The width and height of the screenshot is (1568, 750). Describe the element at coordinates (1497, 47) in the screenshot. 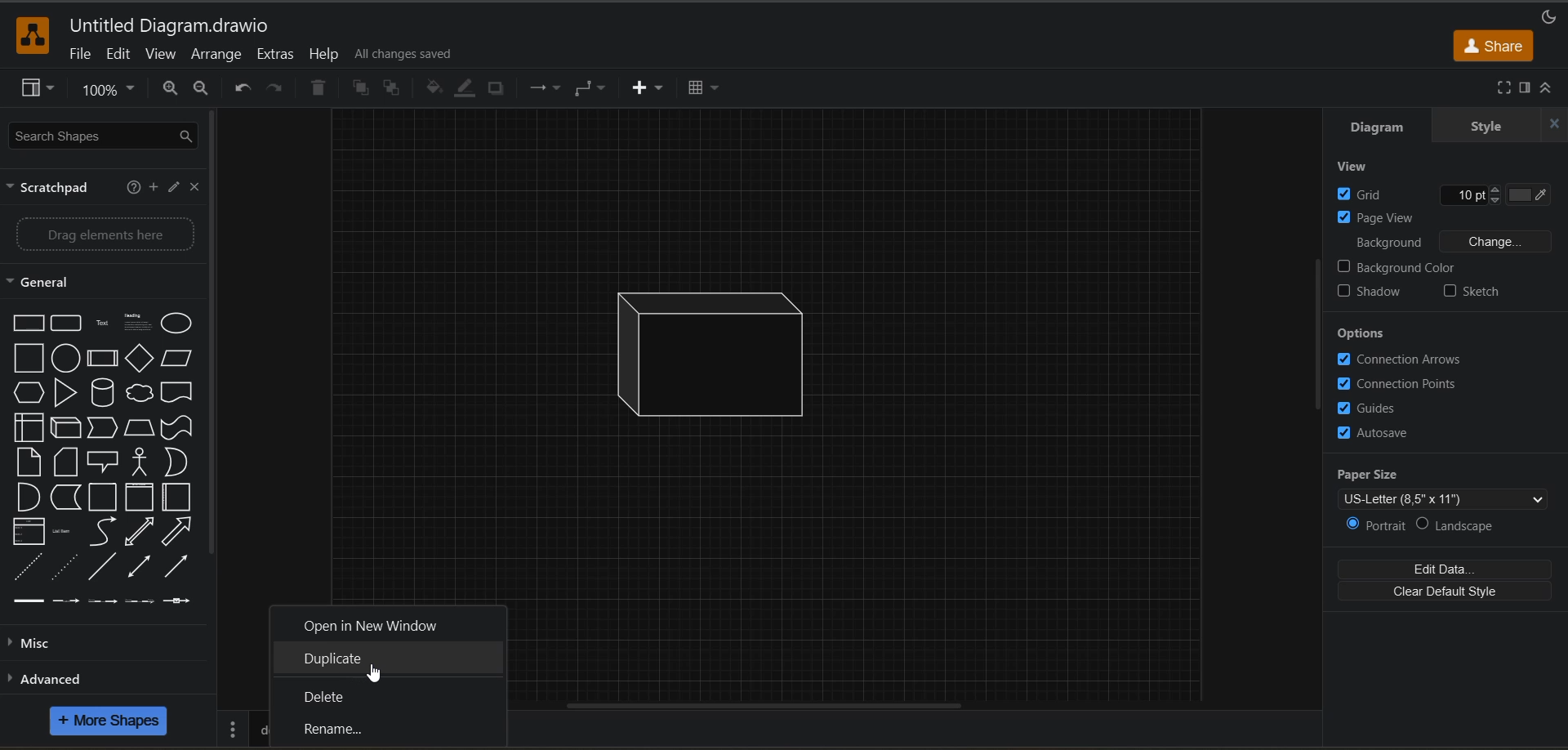

I see `share` at that location.